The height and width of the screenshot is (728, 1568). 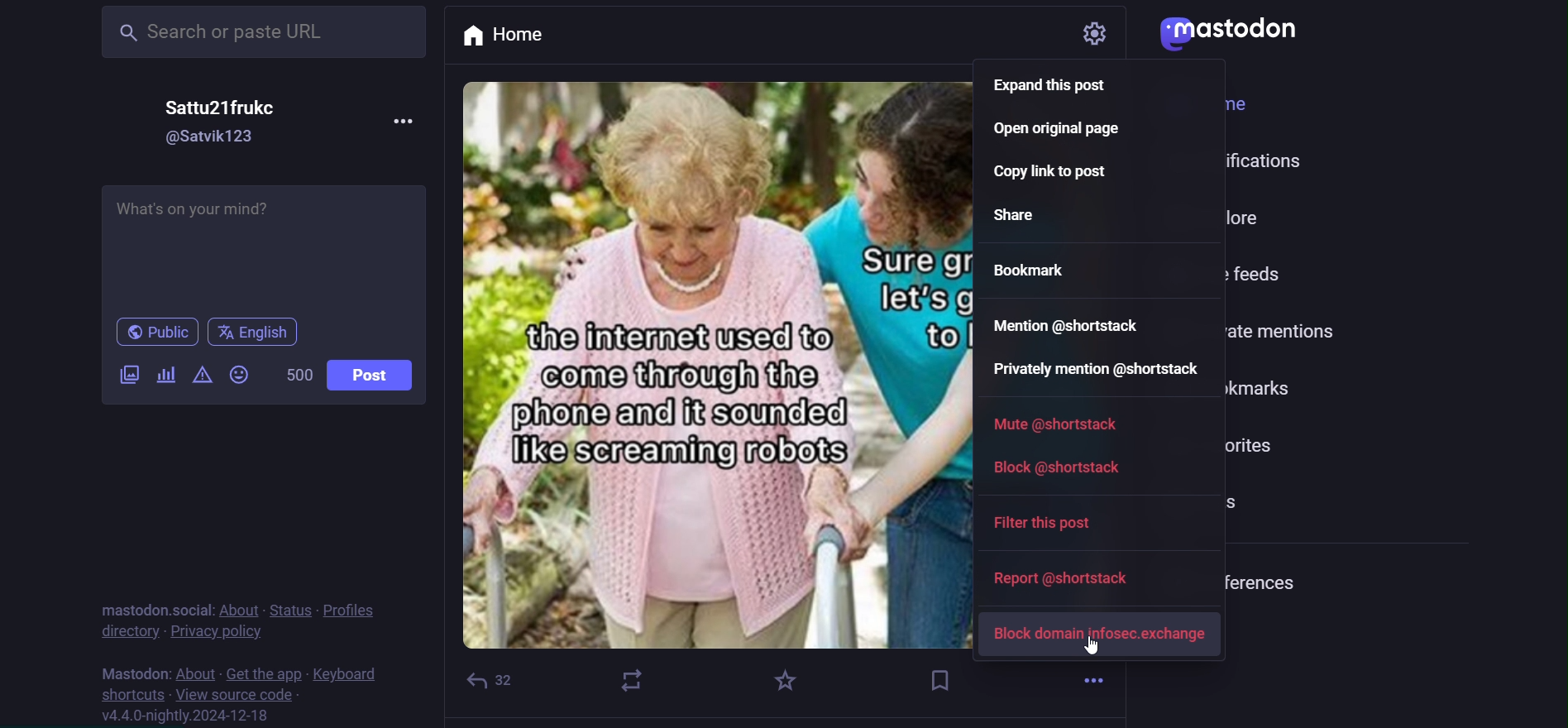 What do you see at coordinates (238, 372) in the screenshot?
I see `emoji` at bounding box center [238, 372].